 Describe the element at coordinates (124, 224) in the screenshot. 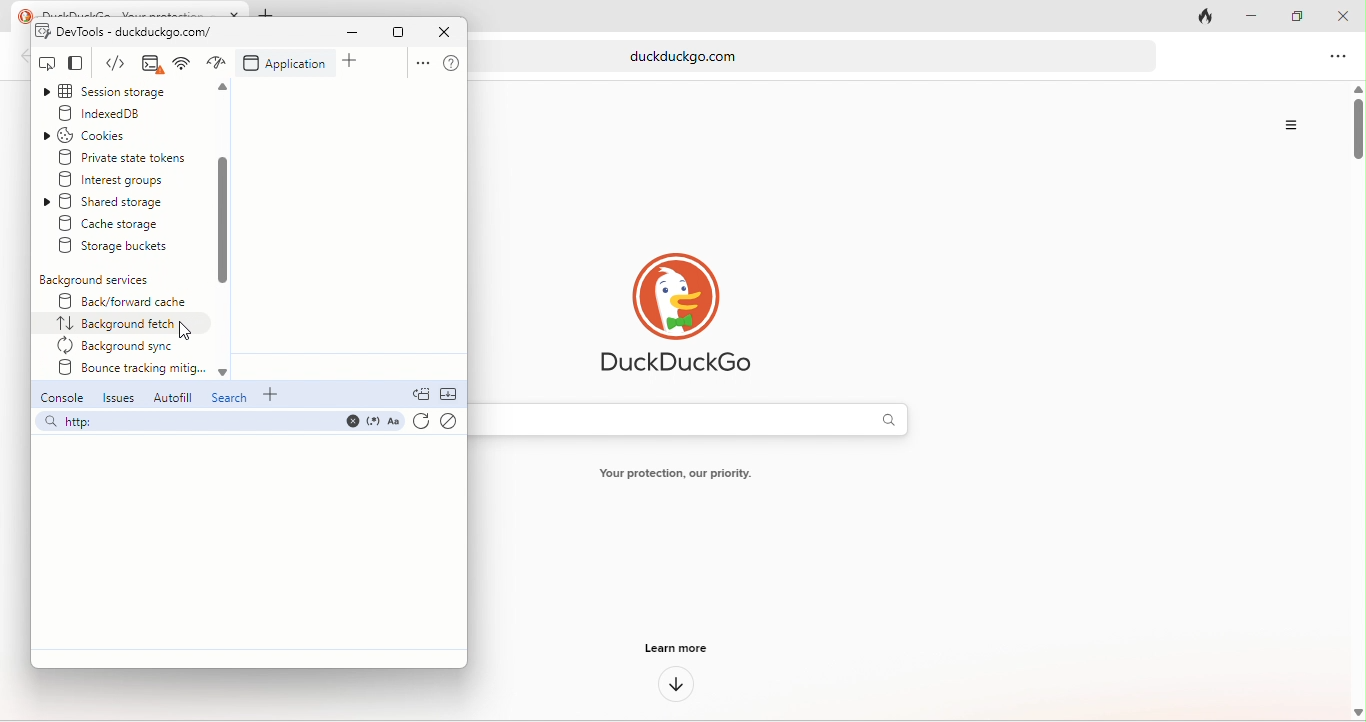

I see `create storage` at that location.